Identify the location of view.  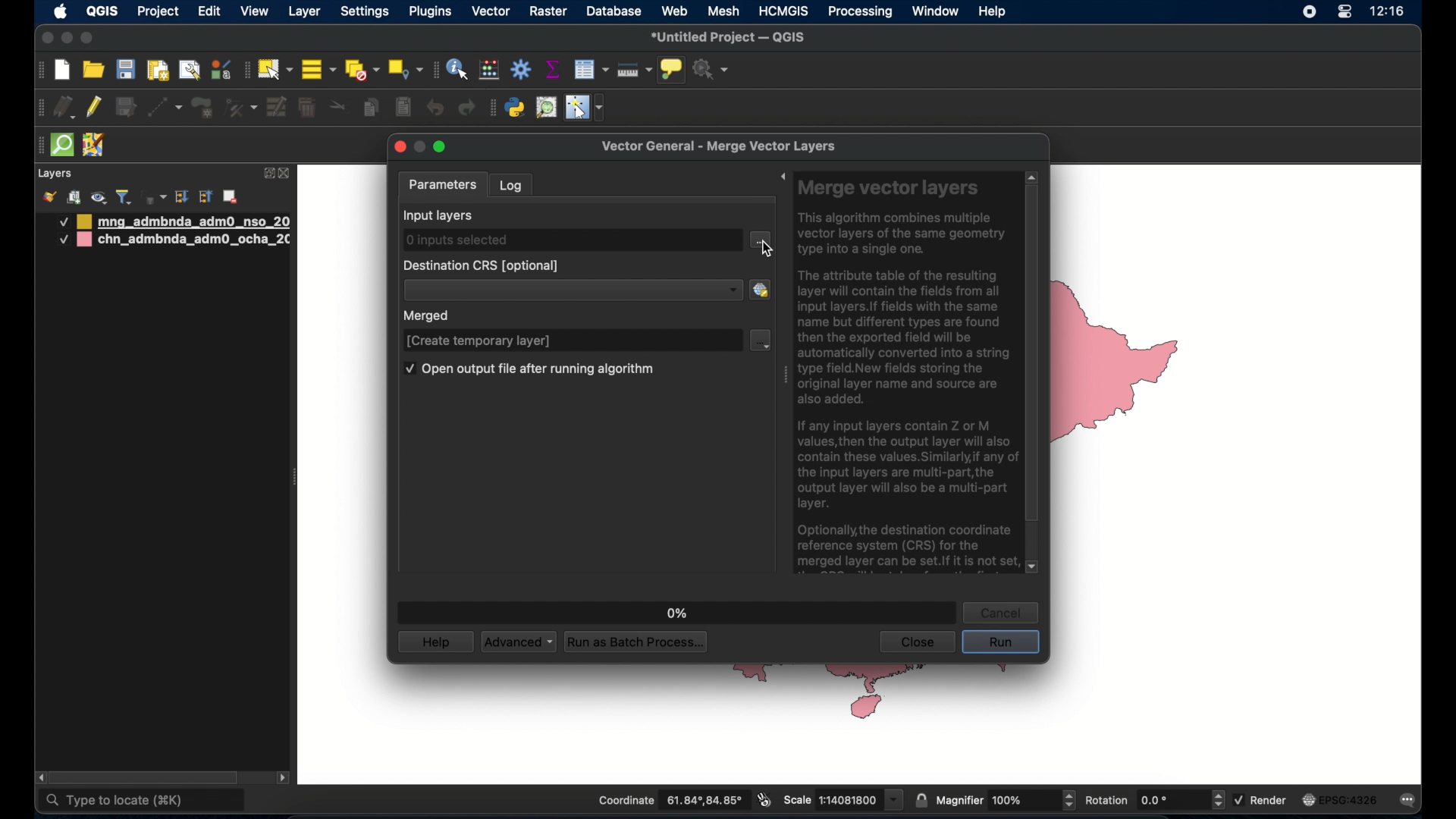
(255, 13).